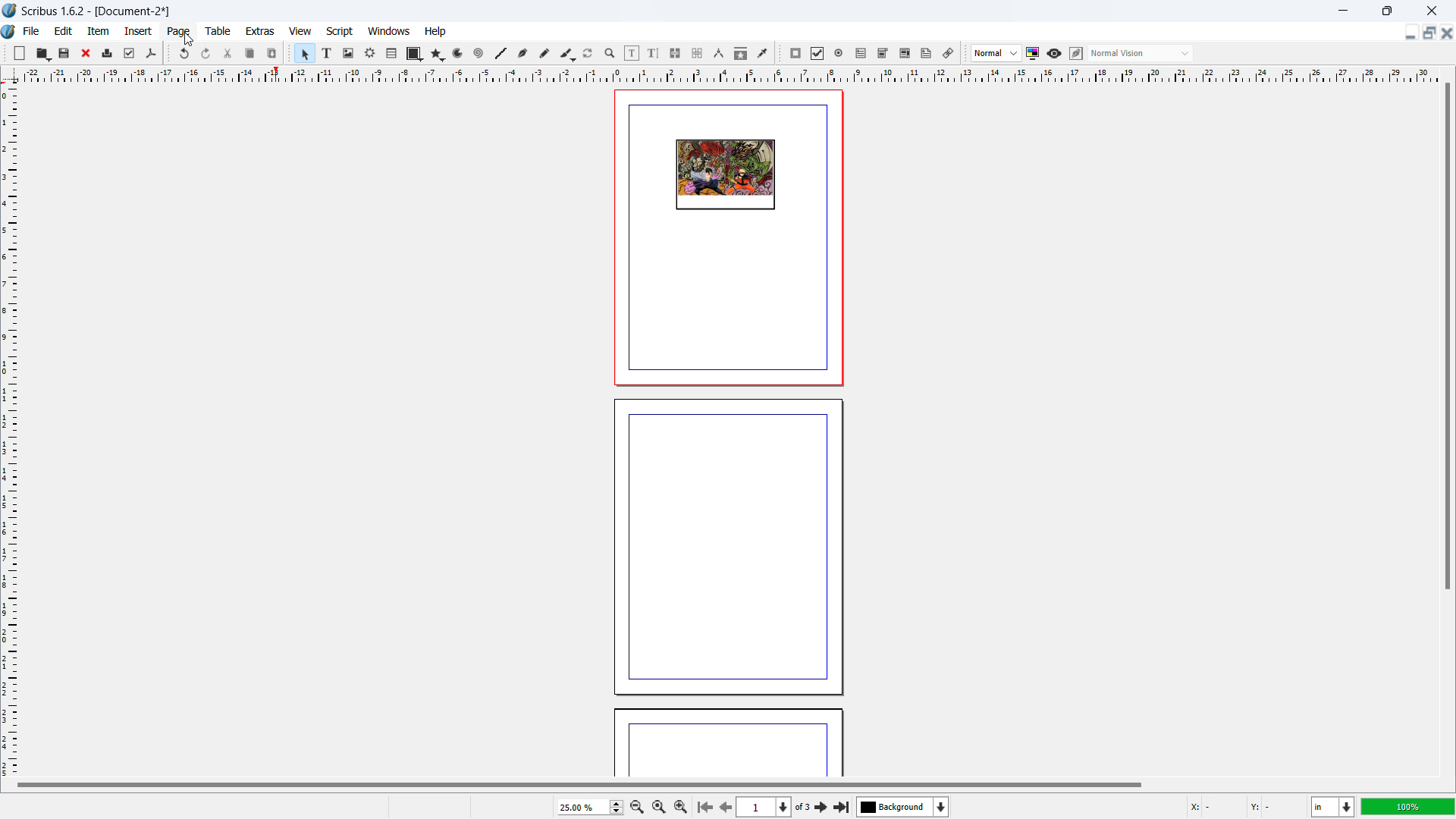  I want to click on horizontal ruler, so click(730, 74).